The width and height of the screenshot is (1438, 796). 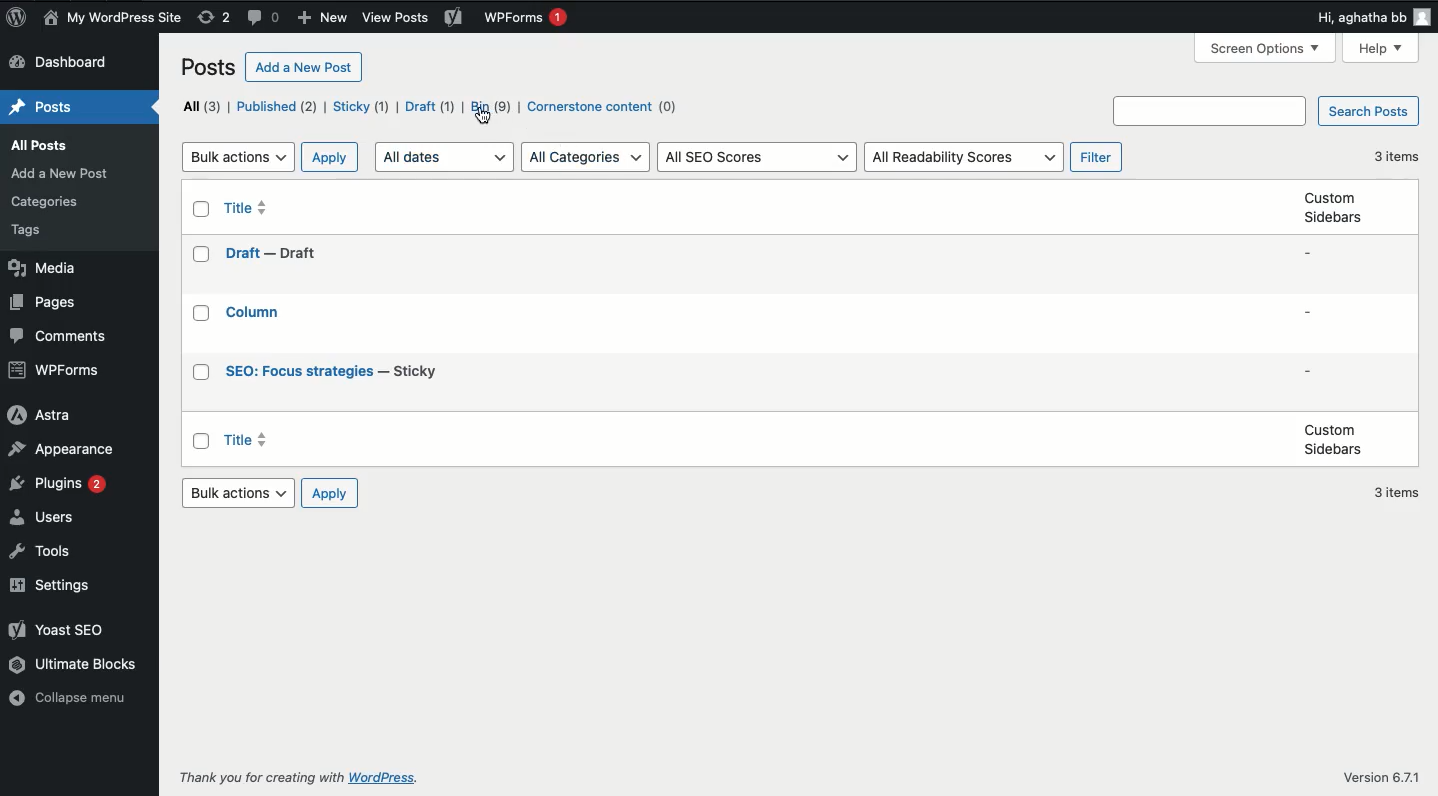 I want to click on Published, so click(x=275, y=107).